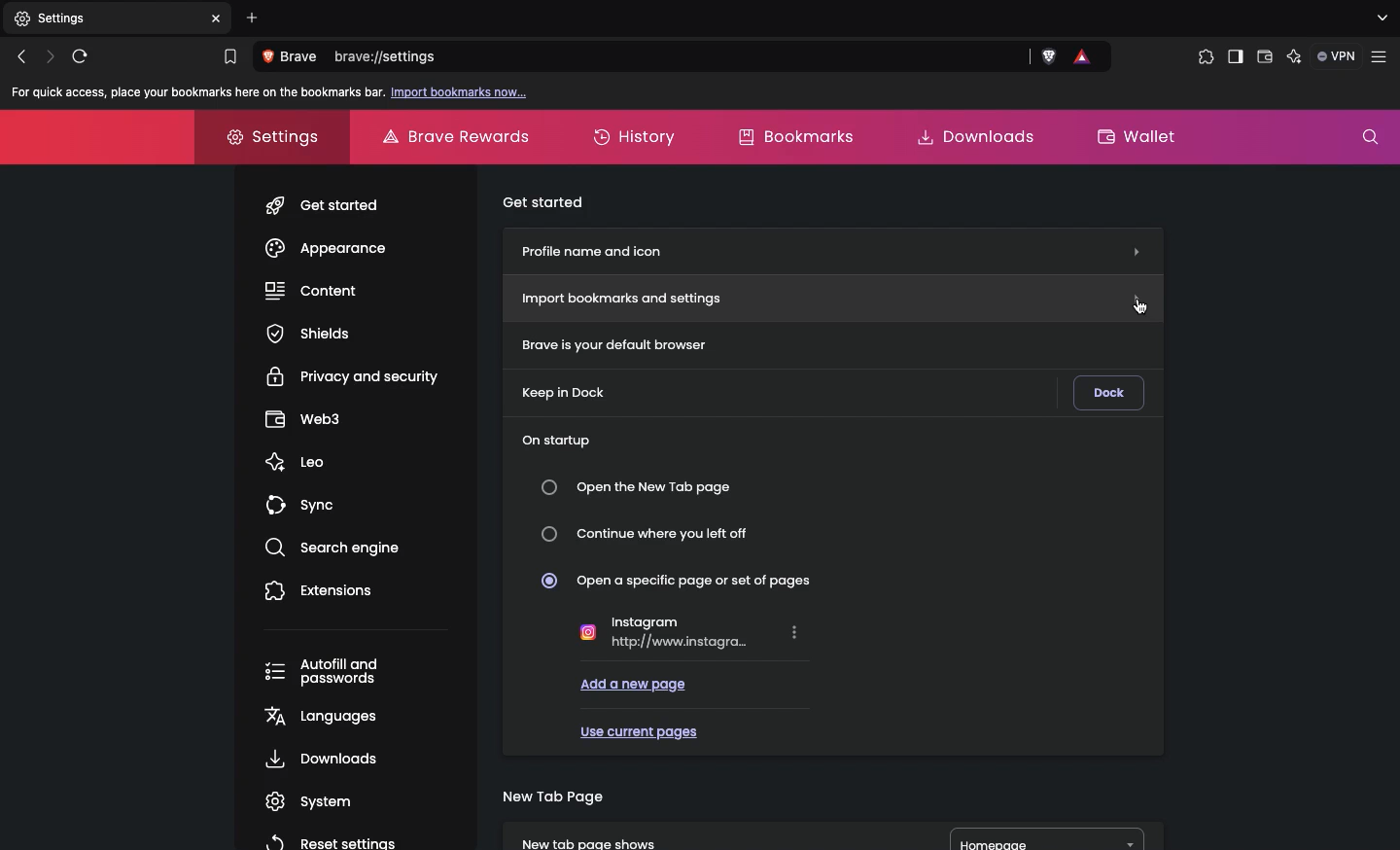 This screenshot has height=850, width=1400. Describe the element at coordinates (642, 487) in the screenshot. I see `Open the new tap page` at that location.